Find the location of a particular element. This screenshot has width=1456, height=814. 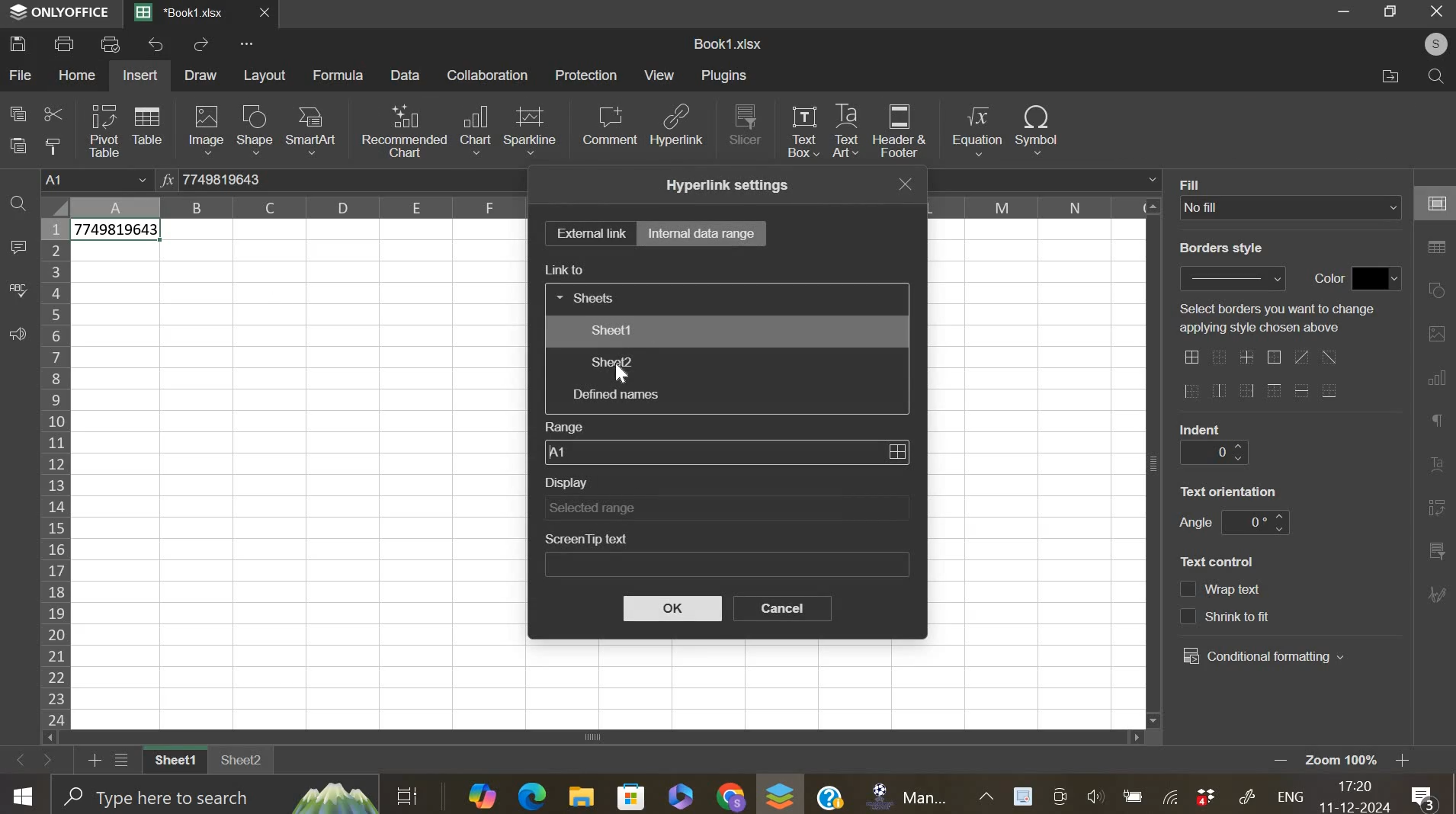

internal data range is located at coordinates (703, 232).